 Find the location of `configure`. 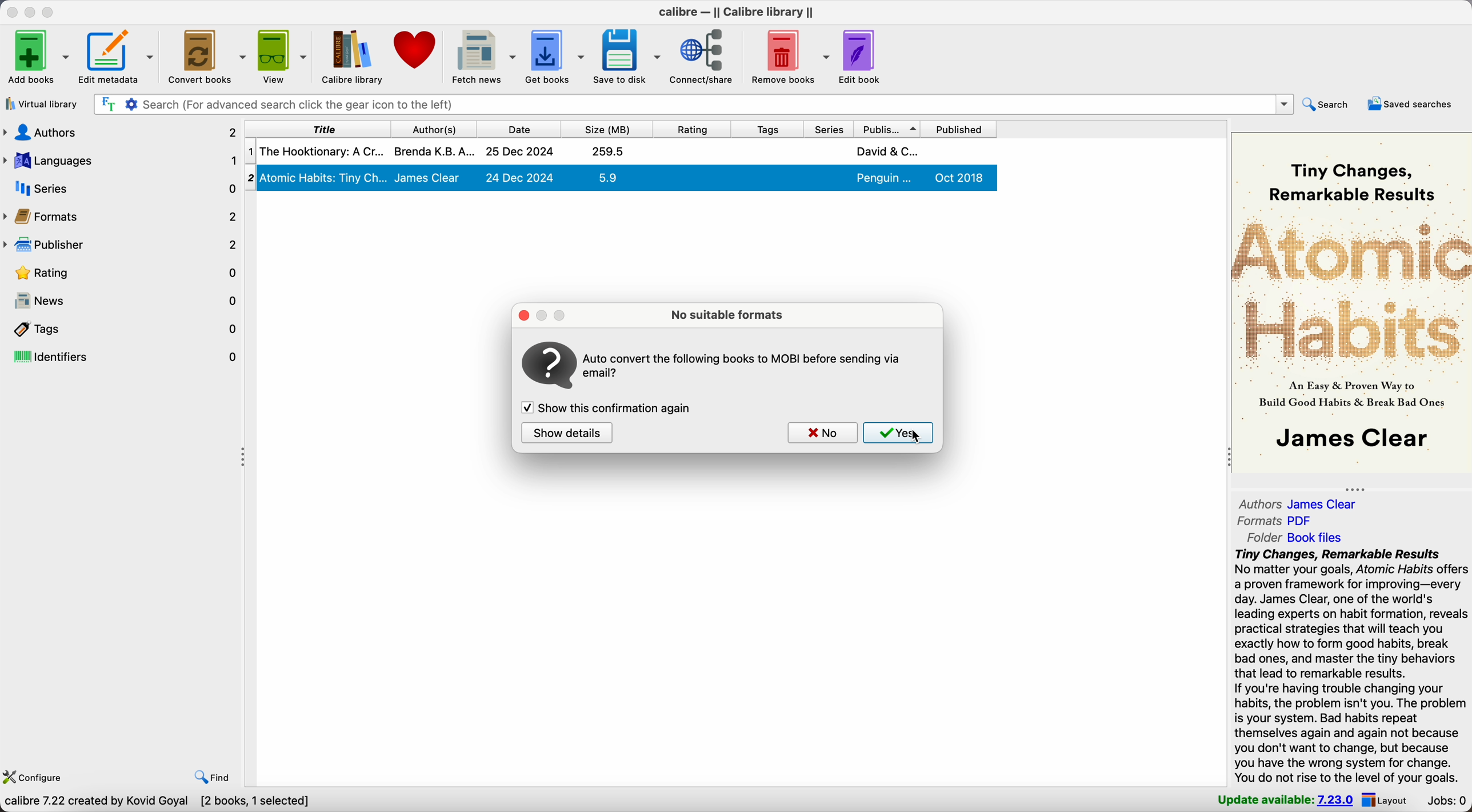

configure is located at coordinates (37, 776).